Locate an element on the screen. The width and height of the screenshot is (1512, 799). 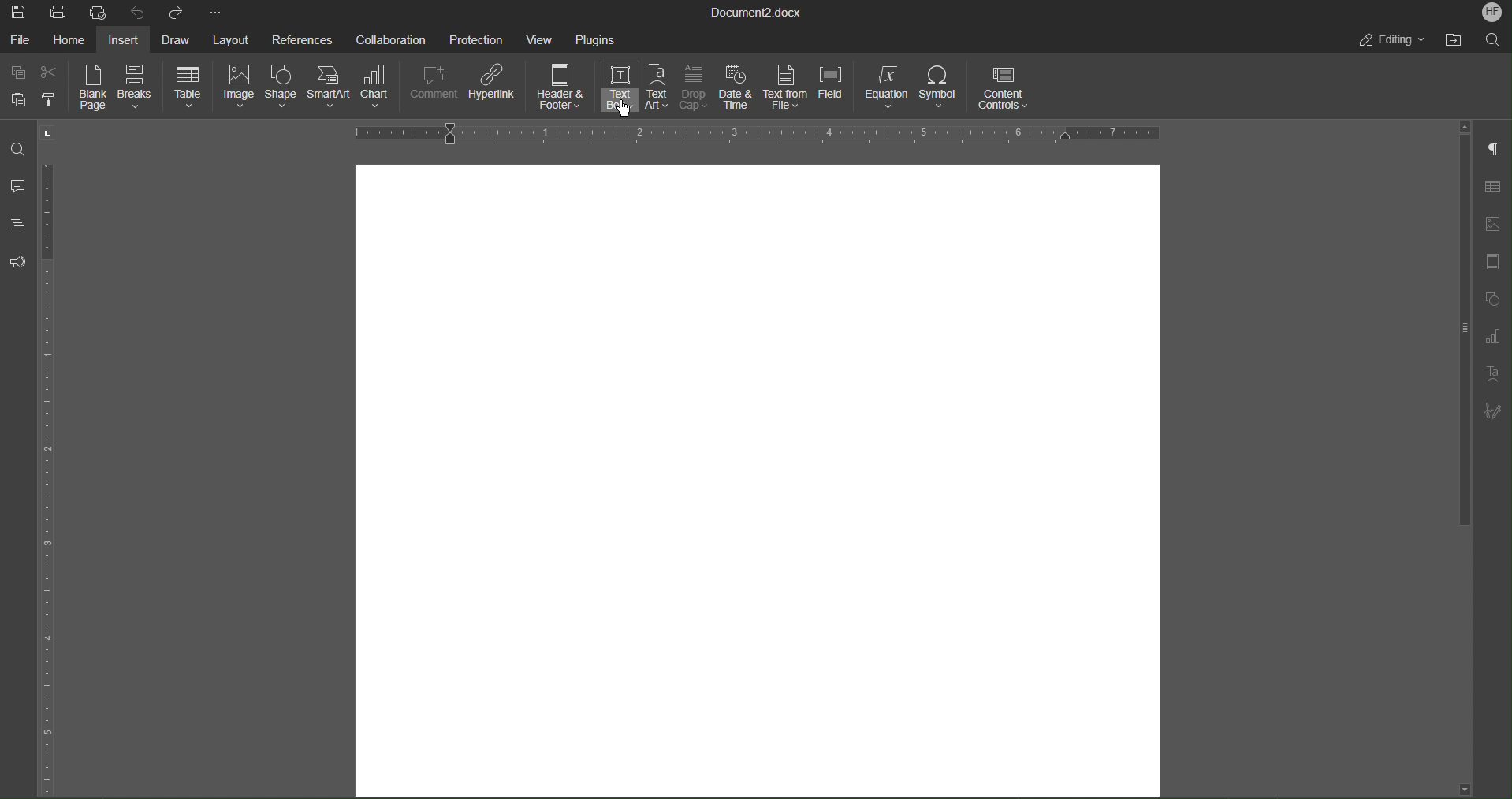
Document Title is located at coordinates (757, 11).